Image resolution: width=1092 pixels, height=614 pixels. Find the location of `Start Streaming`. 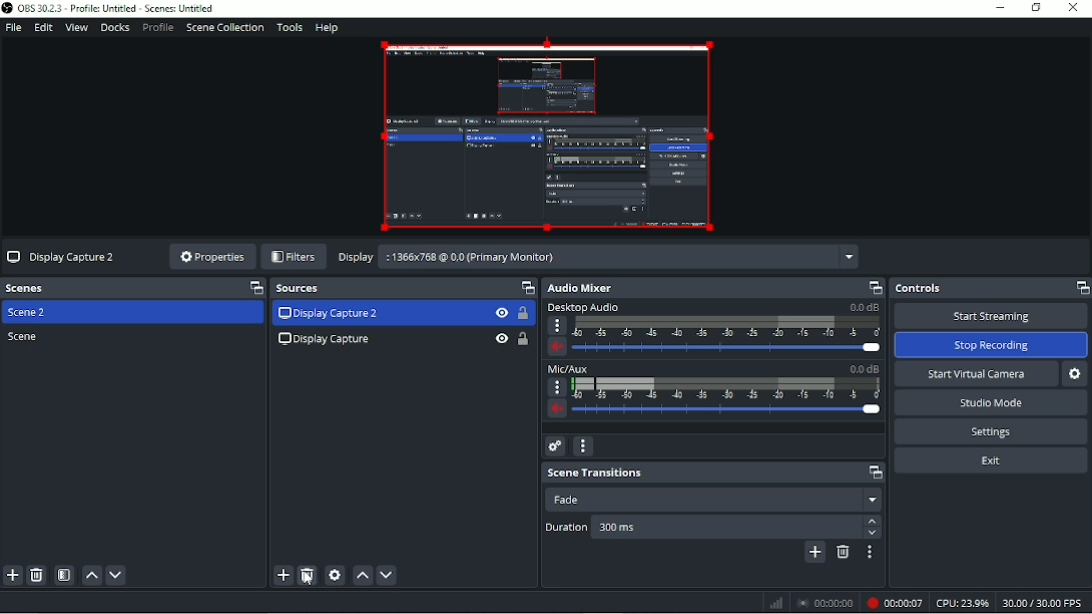

Start Streaming is located at coordinates (992, 315).